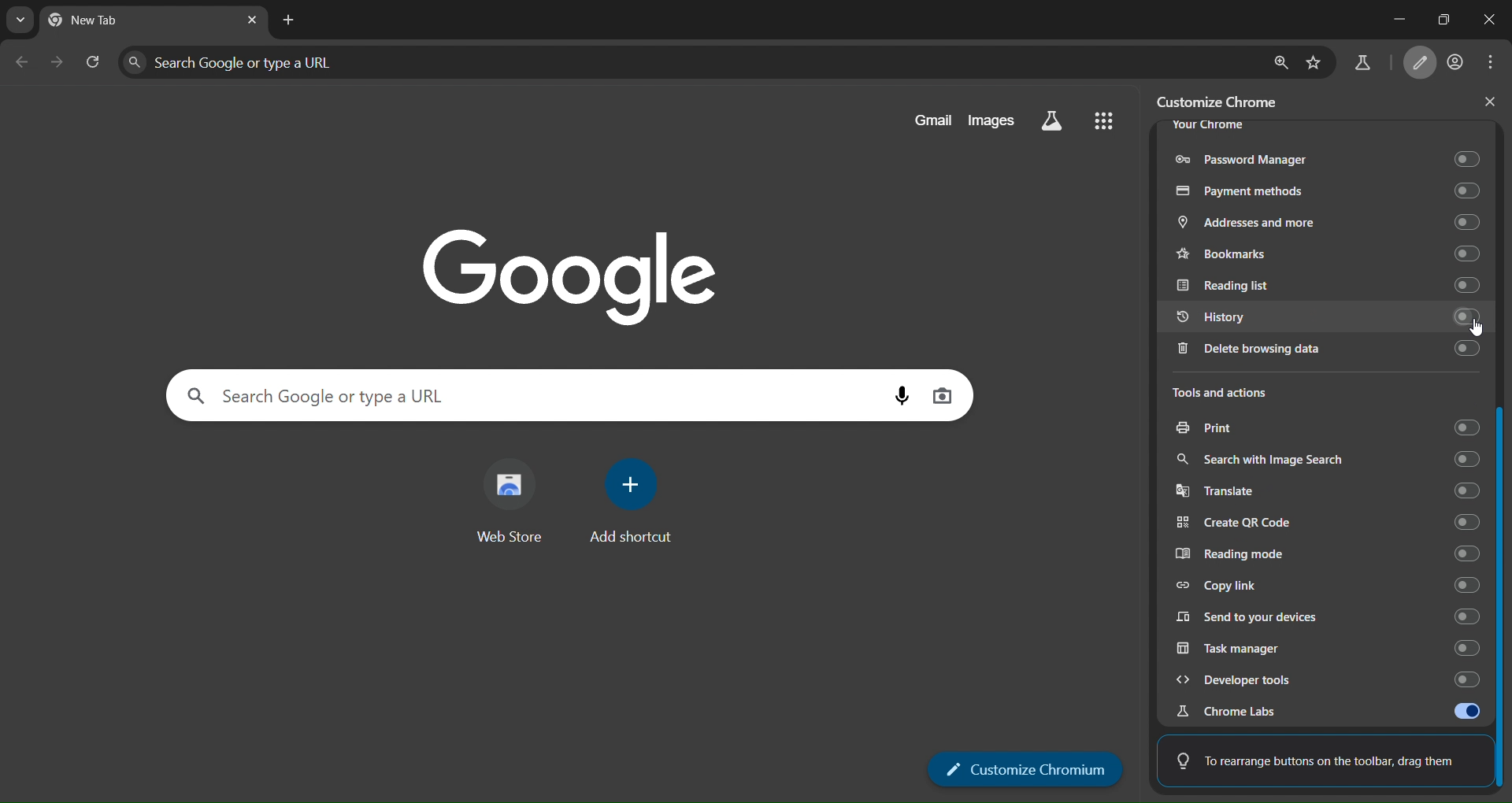 The image size is (1512, 803). Describe the element at coordinates (1324, 285) in the screenshot. I see `reading list` at that location.